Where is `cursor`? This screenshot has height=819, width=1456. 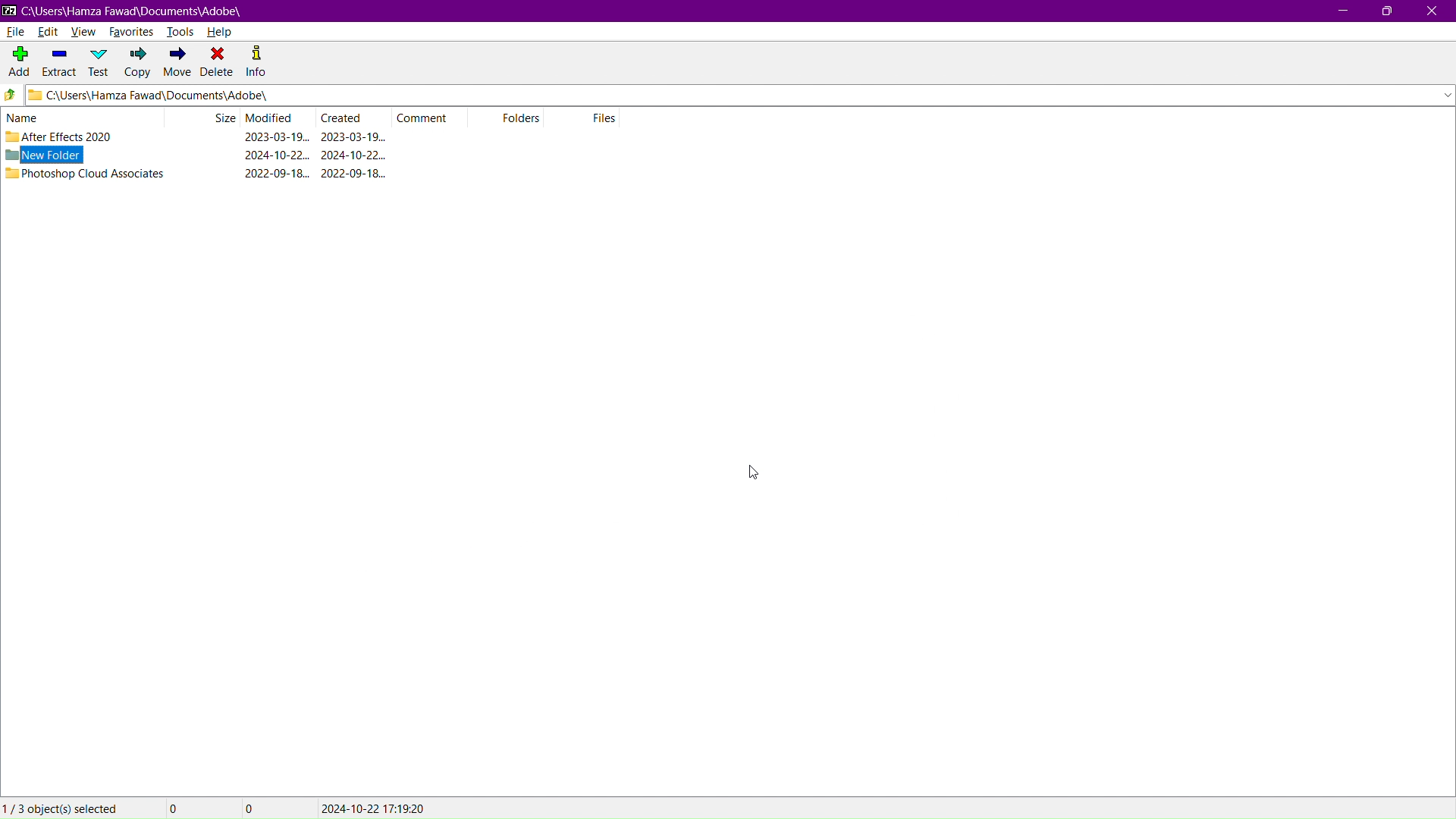 cursor is located at coordinates (754, 472).